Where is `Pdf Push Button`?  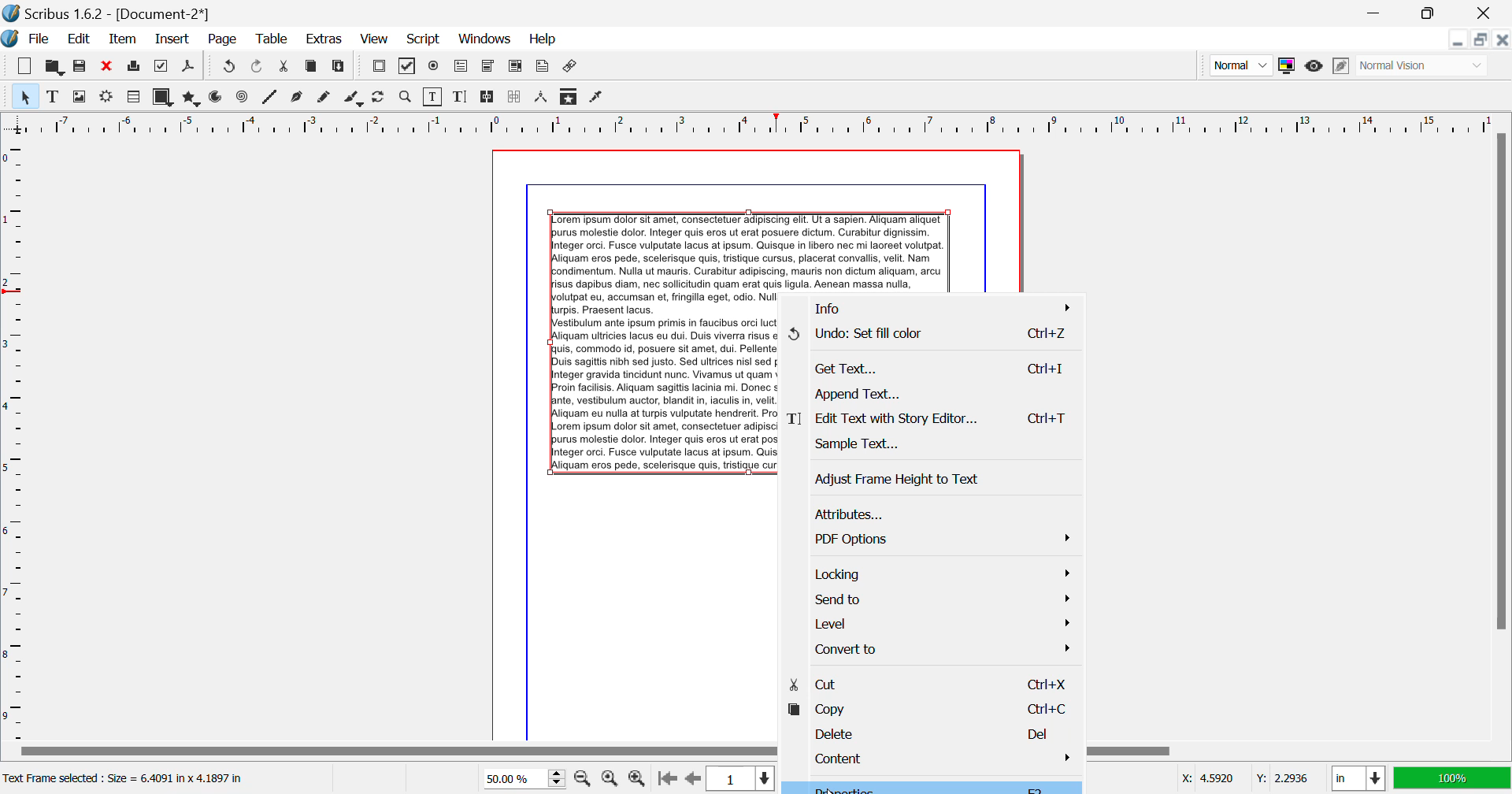
Pdf Push Button is located at coordinates (379, 68).